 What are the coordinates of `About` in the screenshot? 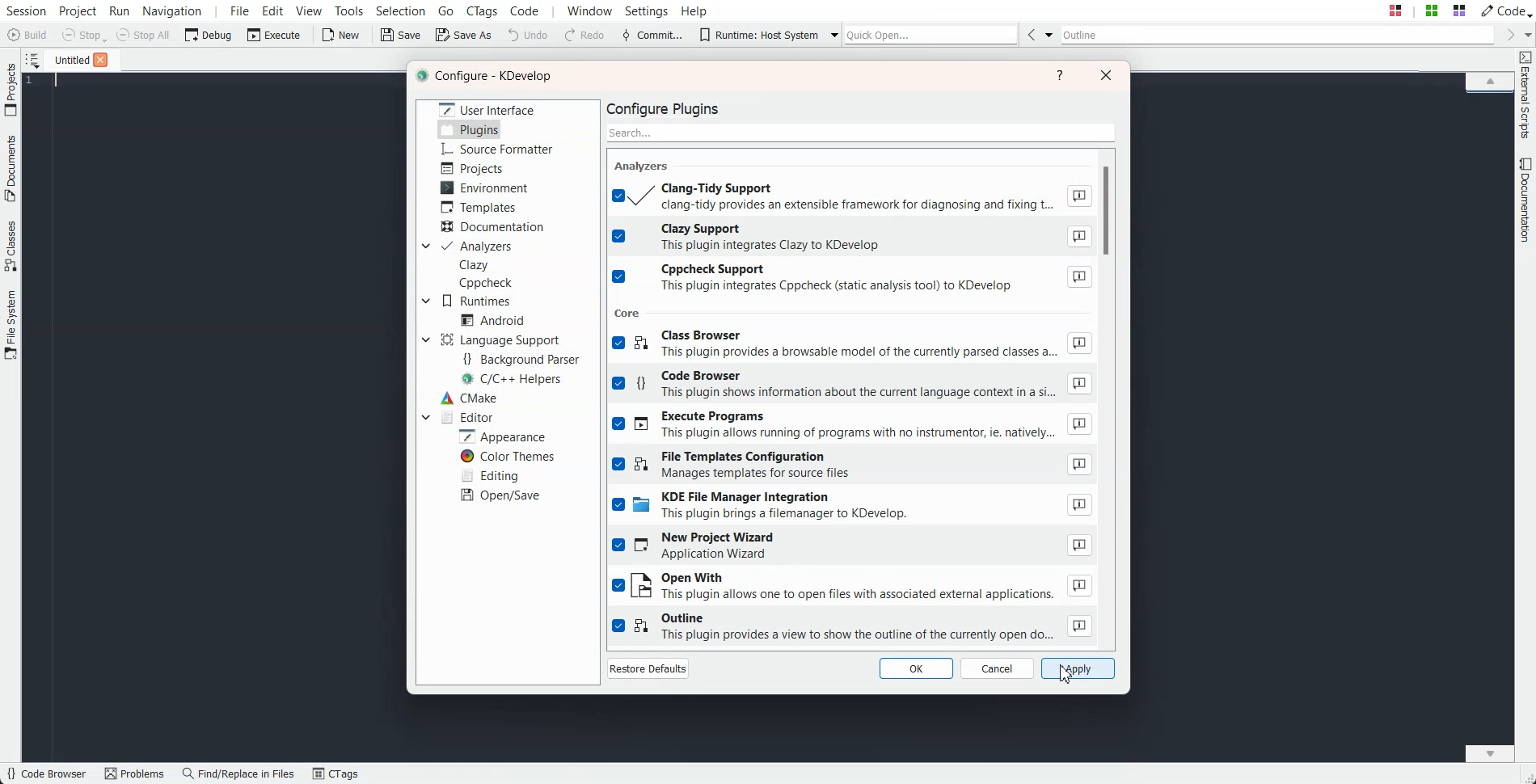 It's located at (1080, 505).